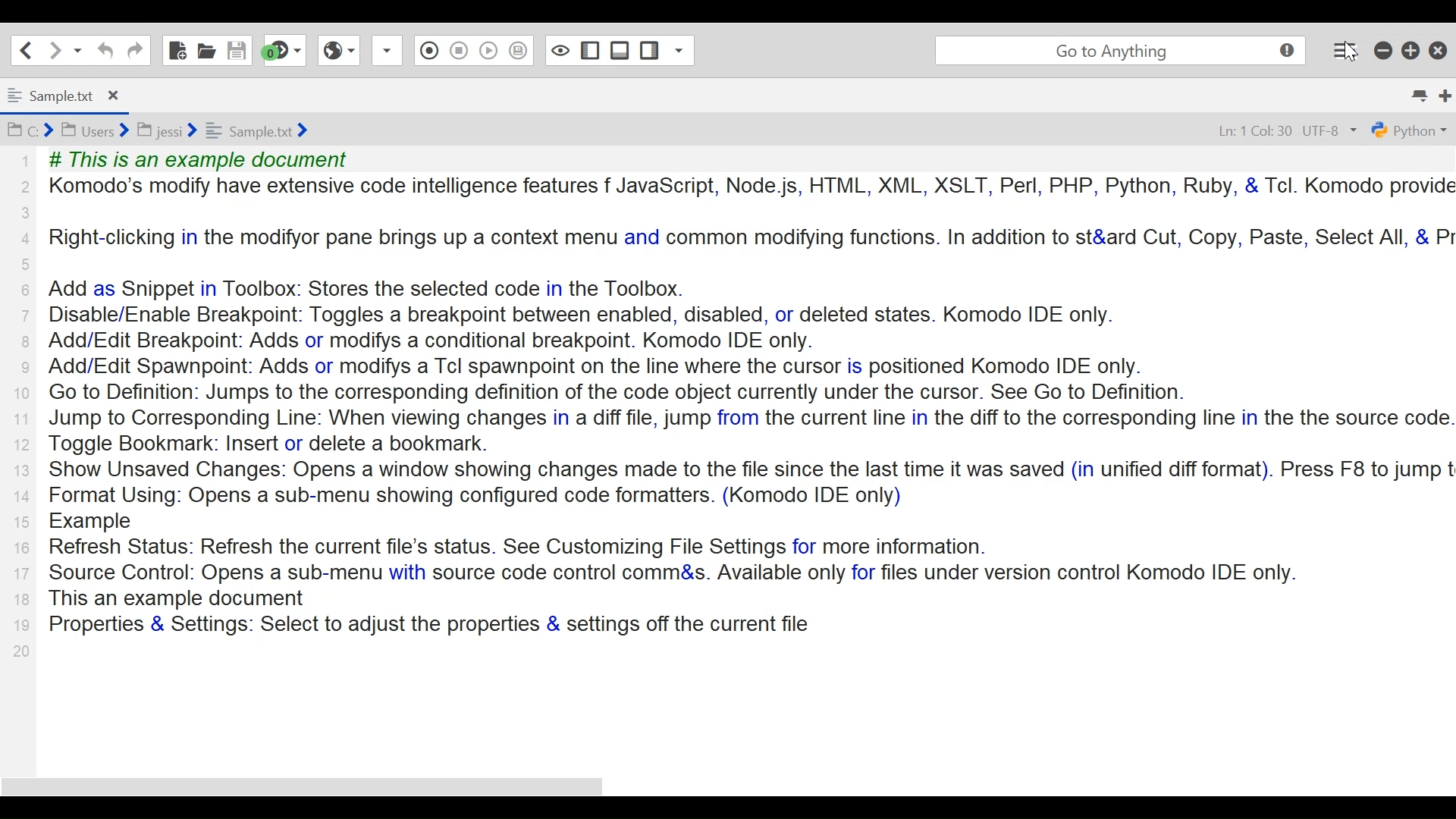 This screenshot has height=819, width=1456. I want to click on undo, so click(103, 50).